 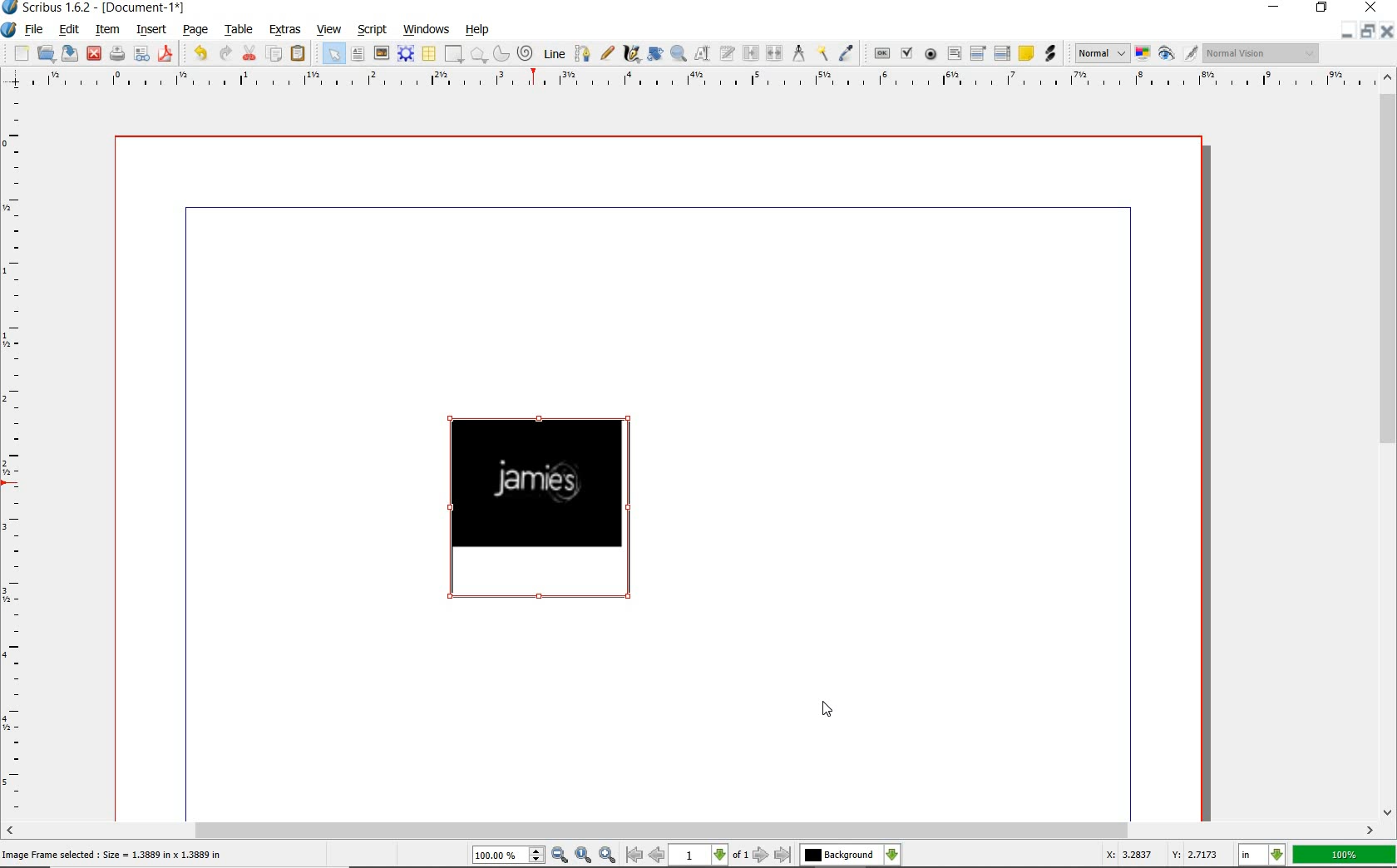 What do you see at coordinates (690, 830) in the screenshot?
I see `Scroll bar` at bounding box center [690, 830].